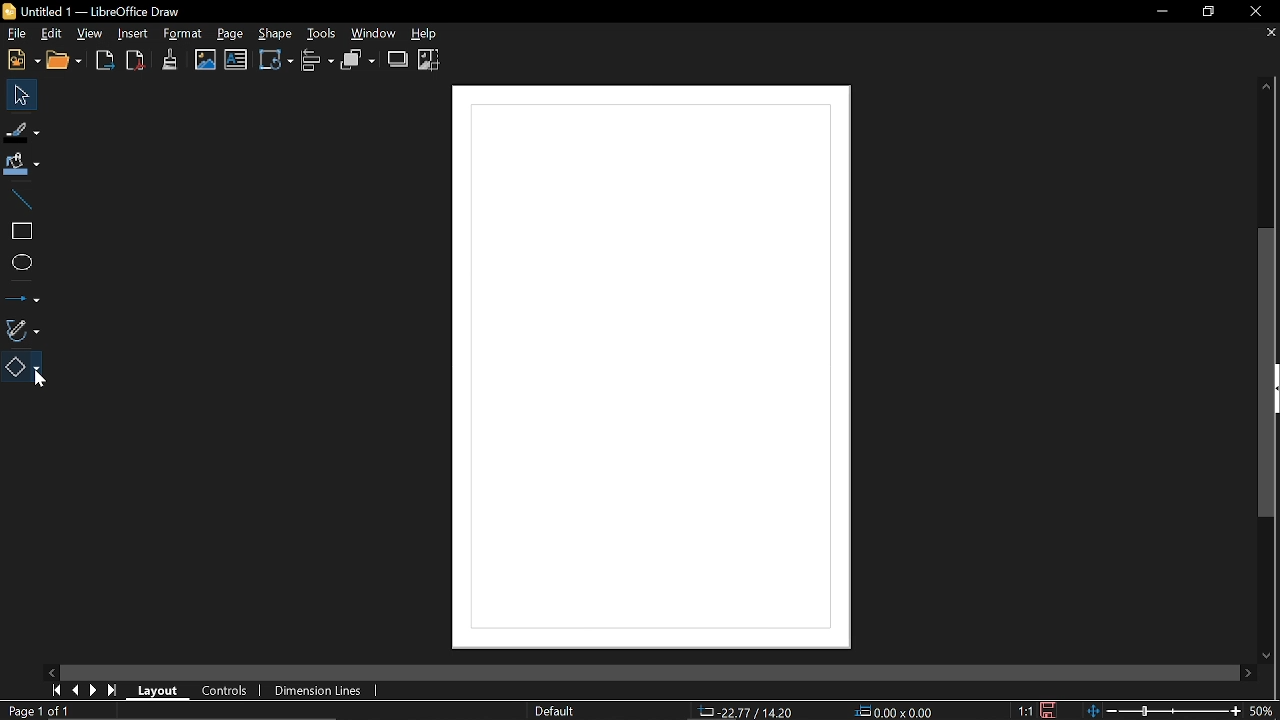 The image size is (1280, 720). What do you see at coordinates (747, 710) in the screenshot?
I see `POsition` at bounding box center [747, 710].